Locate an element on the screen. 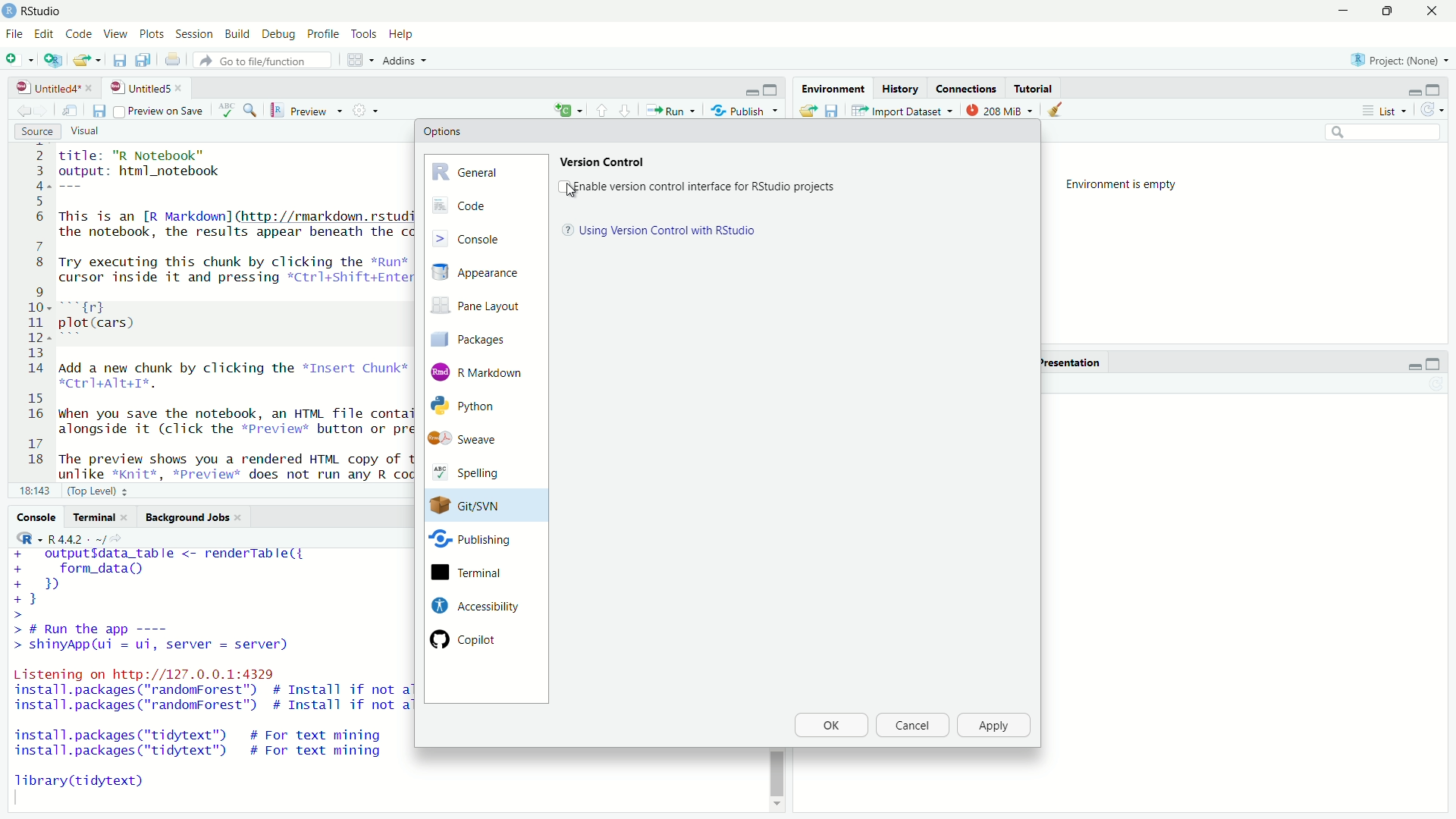 The image size is (1456, 819). Sweave is located at coordinates (472, 439).